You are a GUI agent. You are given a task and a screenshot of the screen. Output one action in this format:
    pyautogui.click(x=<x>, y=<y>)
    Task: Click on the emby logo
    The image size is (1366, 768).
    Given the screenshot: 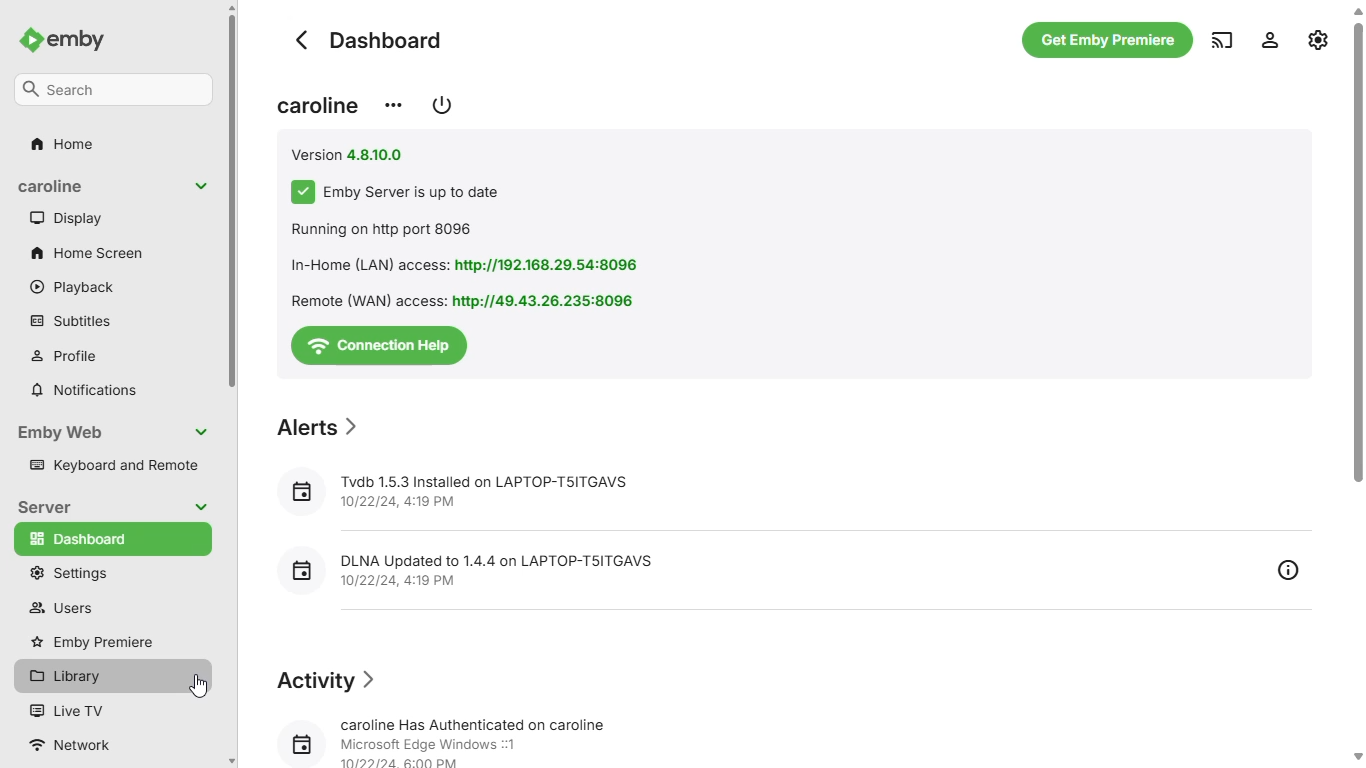 What is the action you would take?
    pyautogui.click(x=29, y=41)
    